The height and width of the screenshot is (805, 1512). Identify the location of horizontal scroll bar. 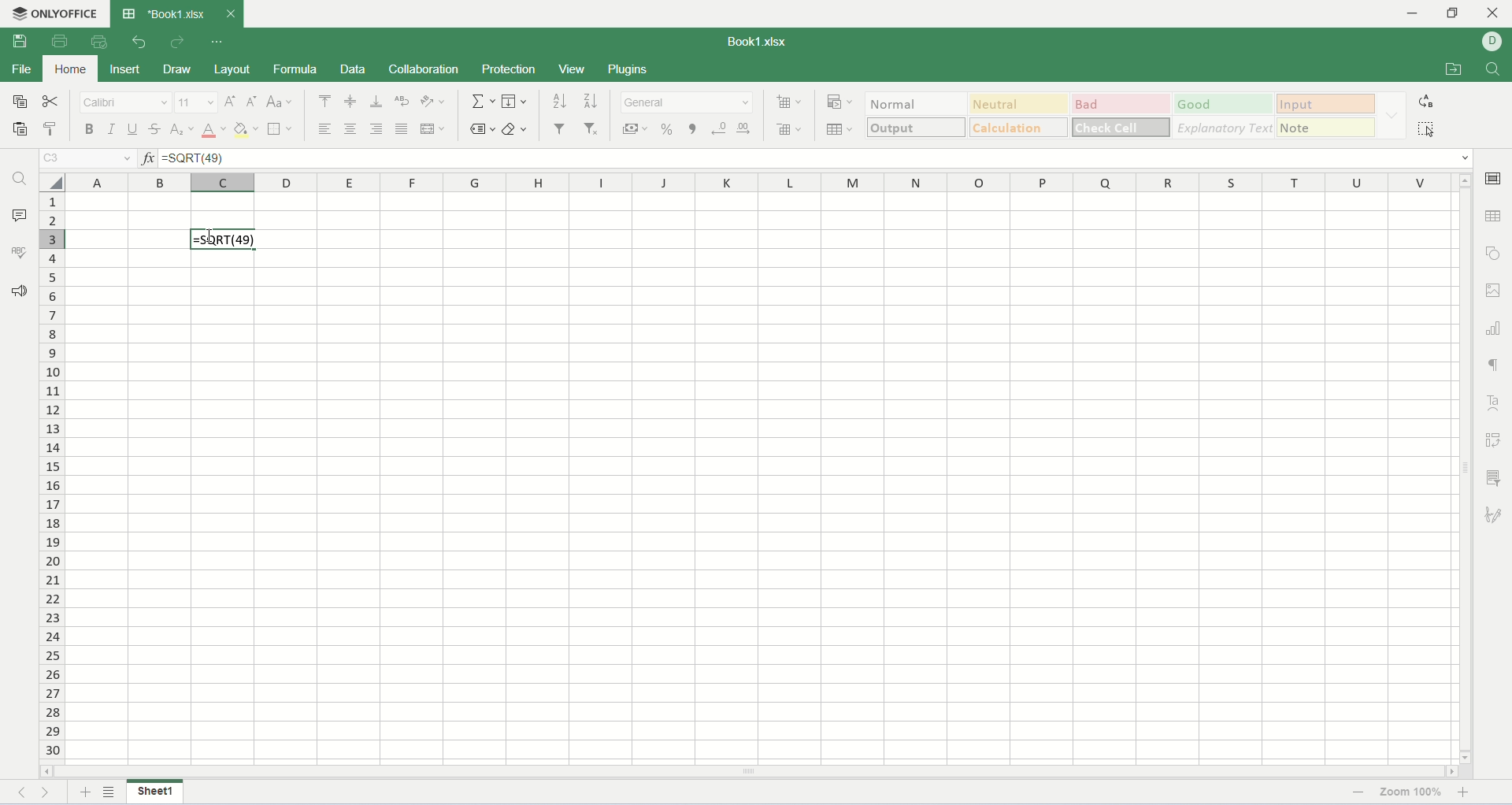
(750, 771).